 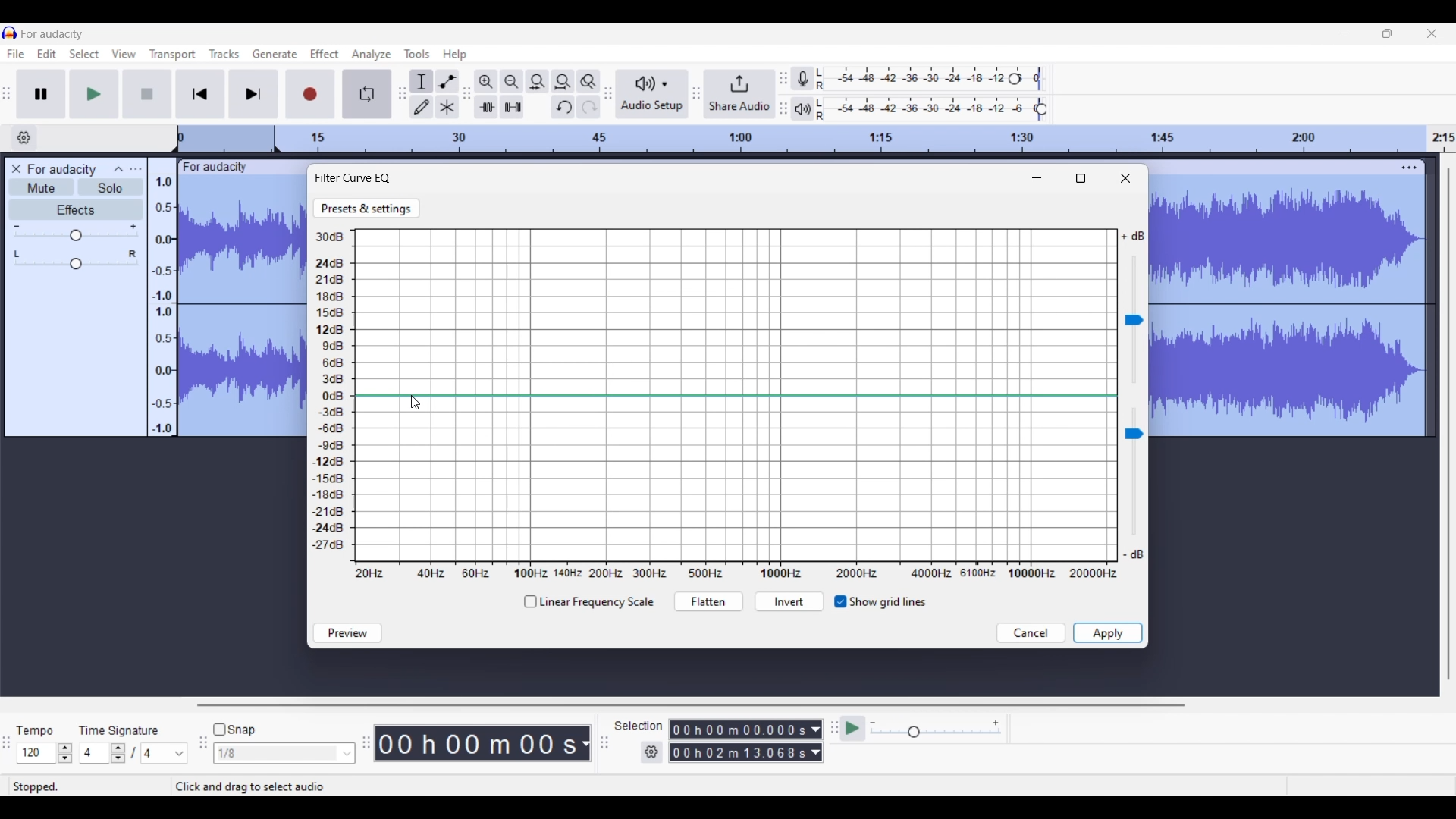 What do you see at coordinates (537, 81) in the screenshot?
I see `Fit selection to width` at bounding box center [537, 81].